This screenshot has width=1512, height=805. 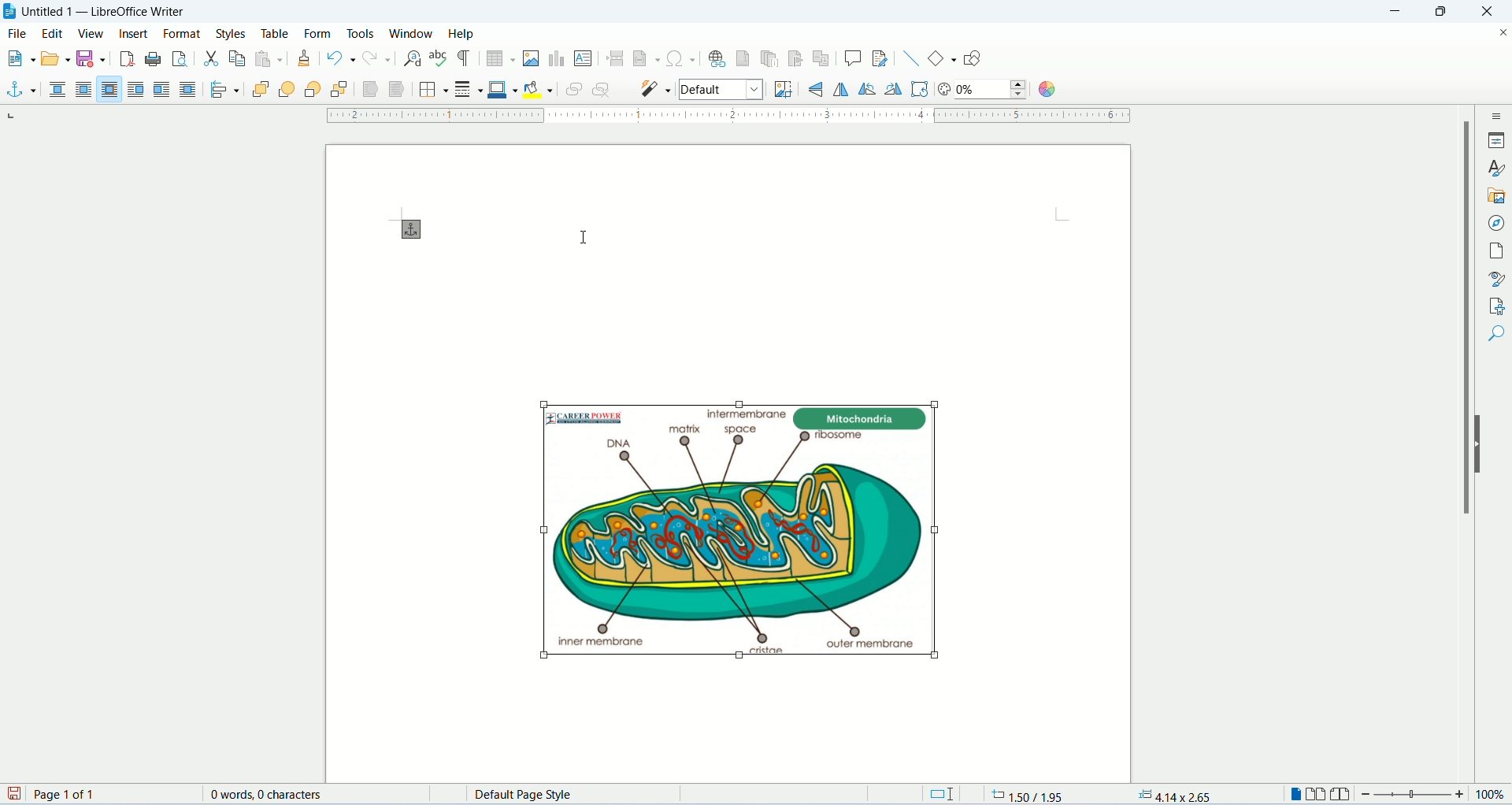 I want to click on insert page break, so click(x=615, y=58).